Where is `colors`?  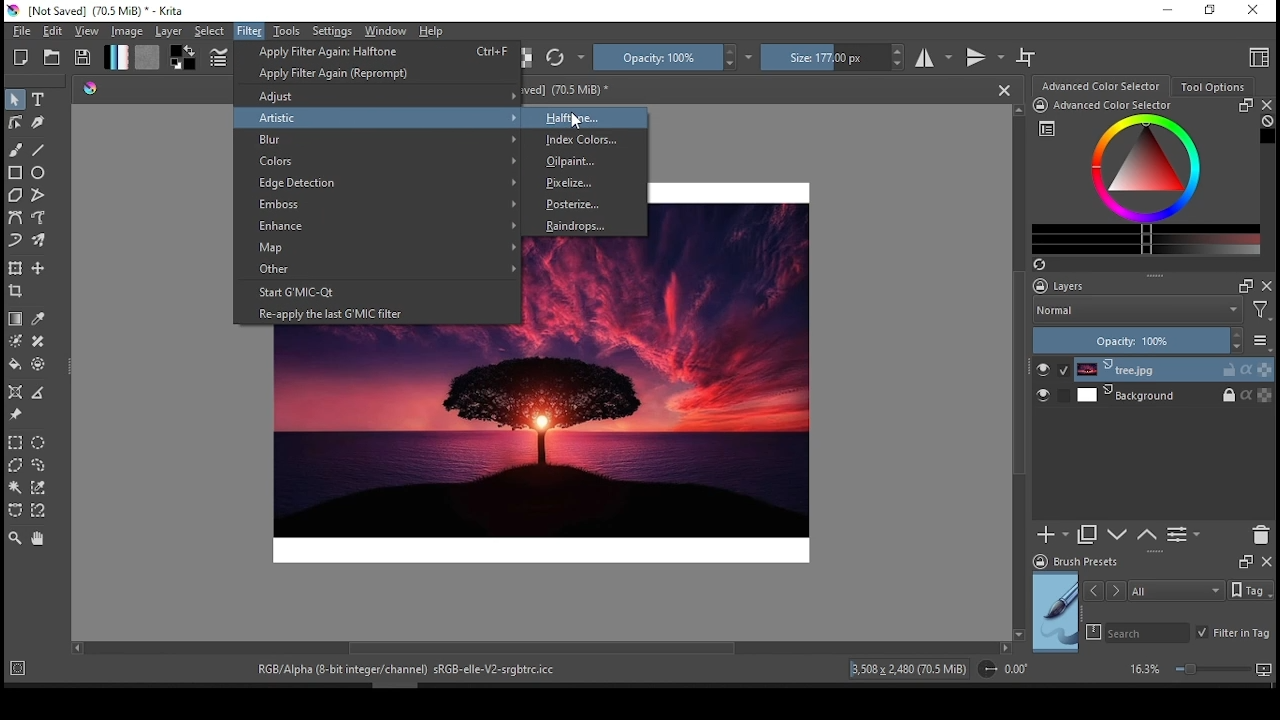
colors is located at coordinates (377, 160).